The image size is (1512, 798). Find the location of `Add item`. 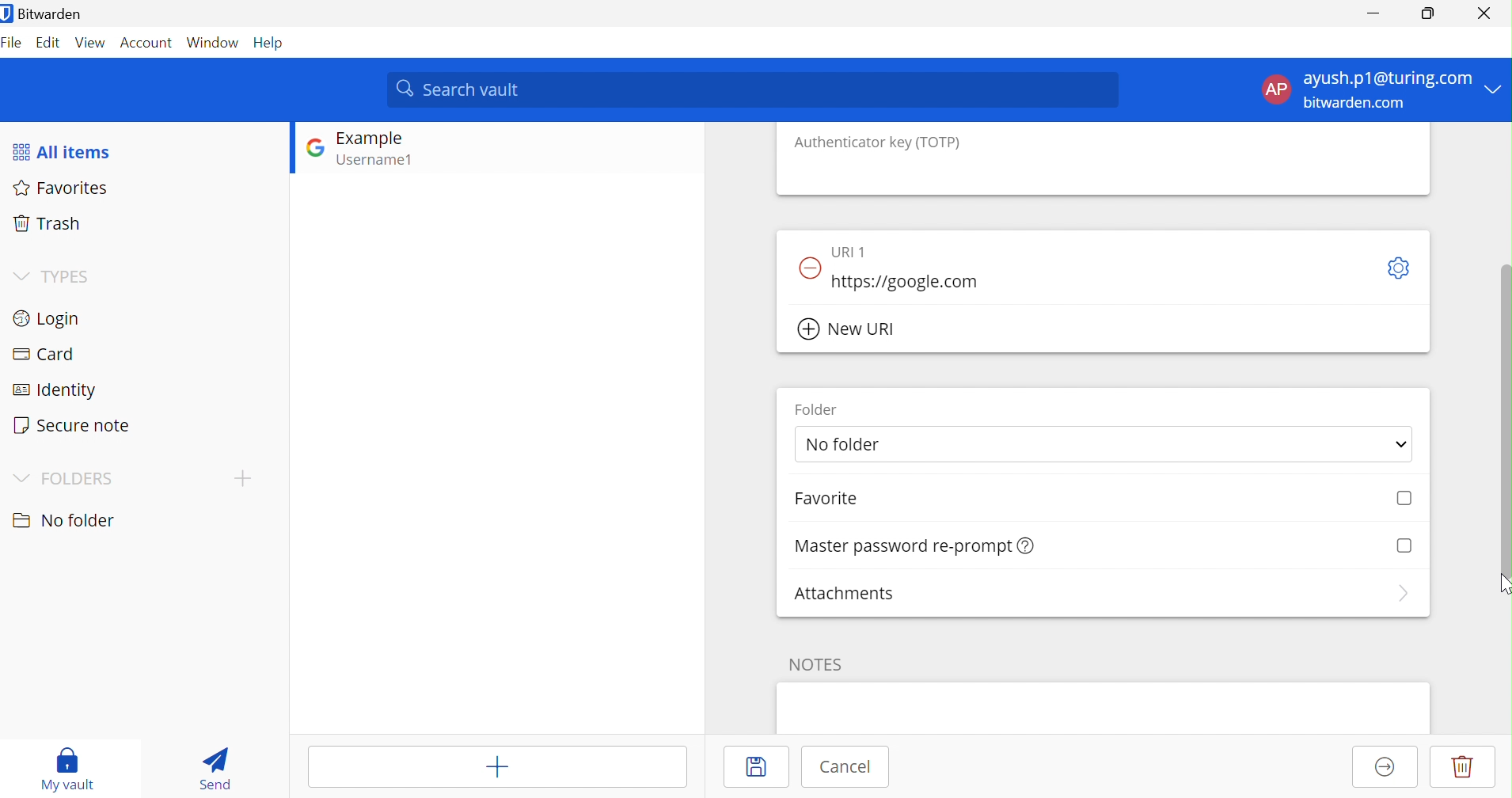

Add item is located at coordinates (496, 765).